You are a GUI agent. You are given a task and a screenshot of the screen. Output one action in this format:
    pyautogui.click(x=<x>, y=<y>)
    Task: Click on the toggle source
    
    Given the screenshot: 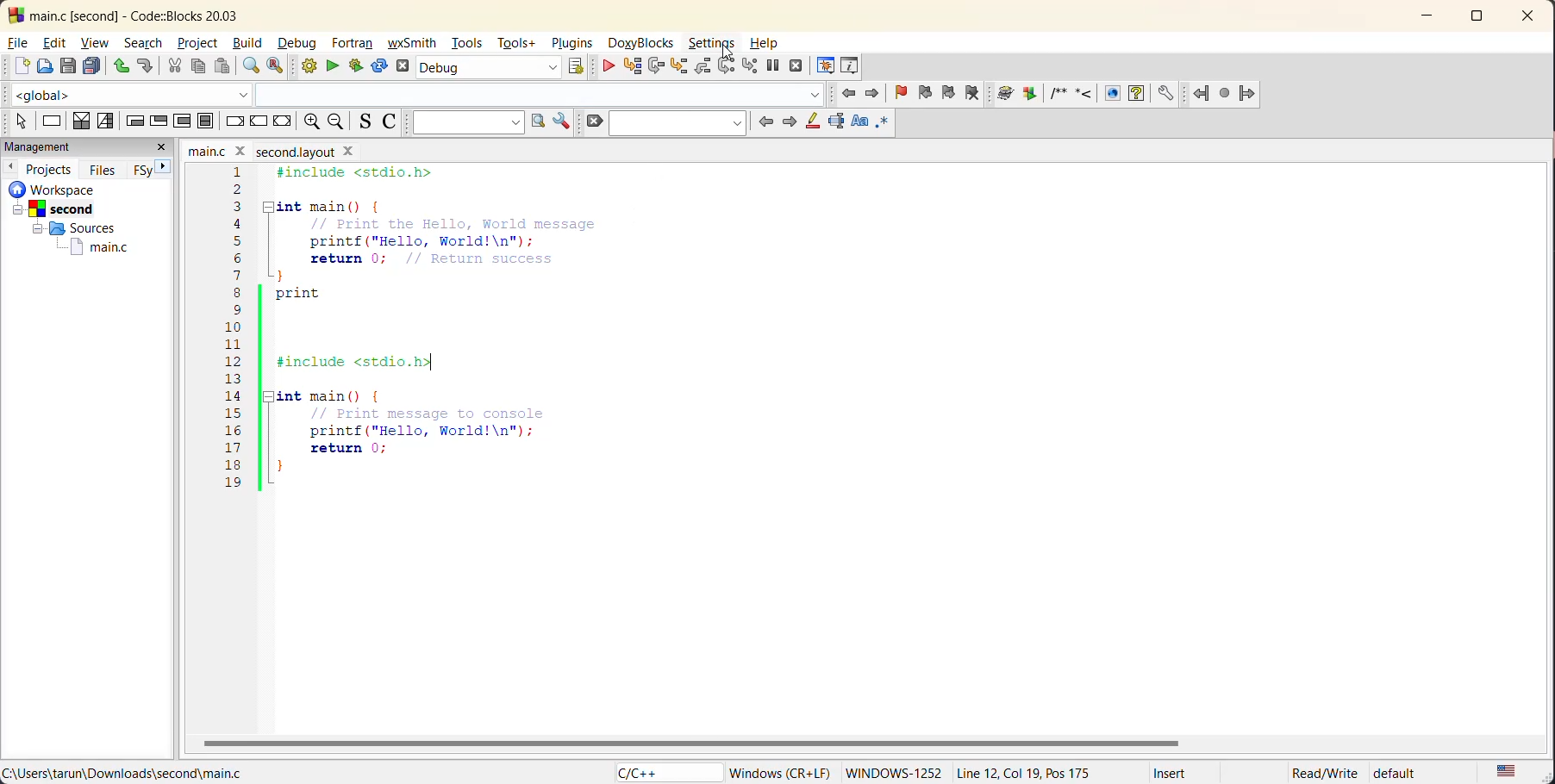 What is the action you would take?
    pyautogui.click(x=365, y=121)
    